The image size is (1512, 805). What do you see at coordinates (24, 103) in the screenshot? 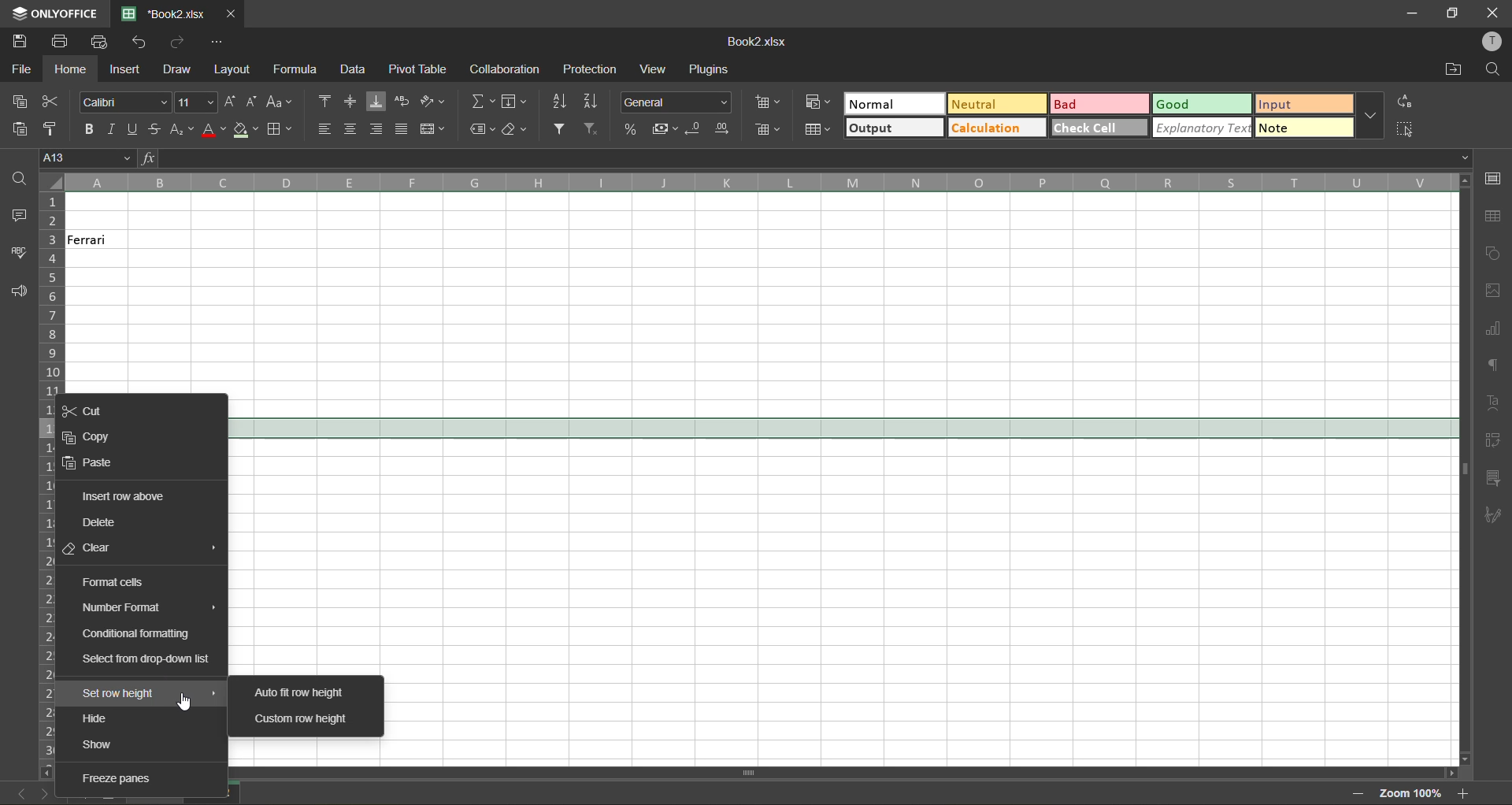
I see `copy` at bounding box center [24, 103].